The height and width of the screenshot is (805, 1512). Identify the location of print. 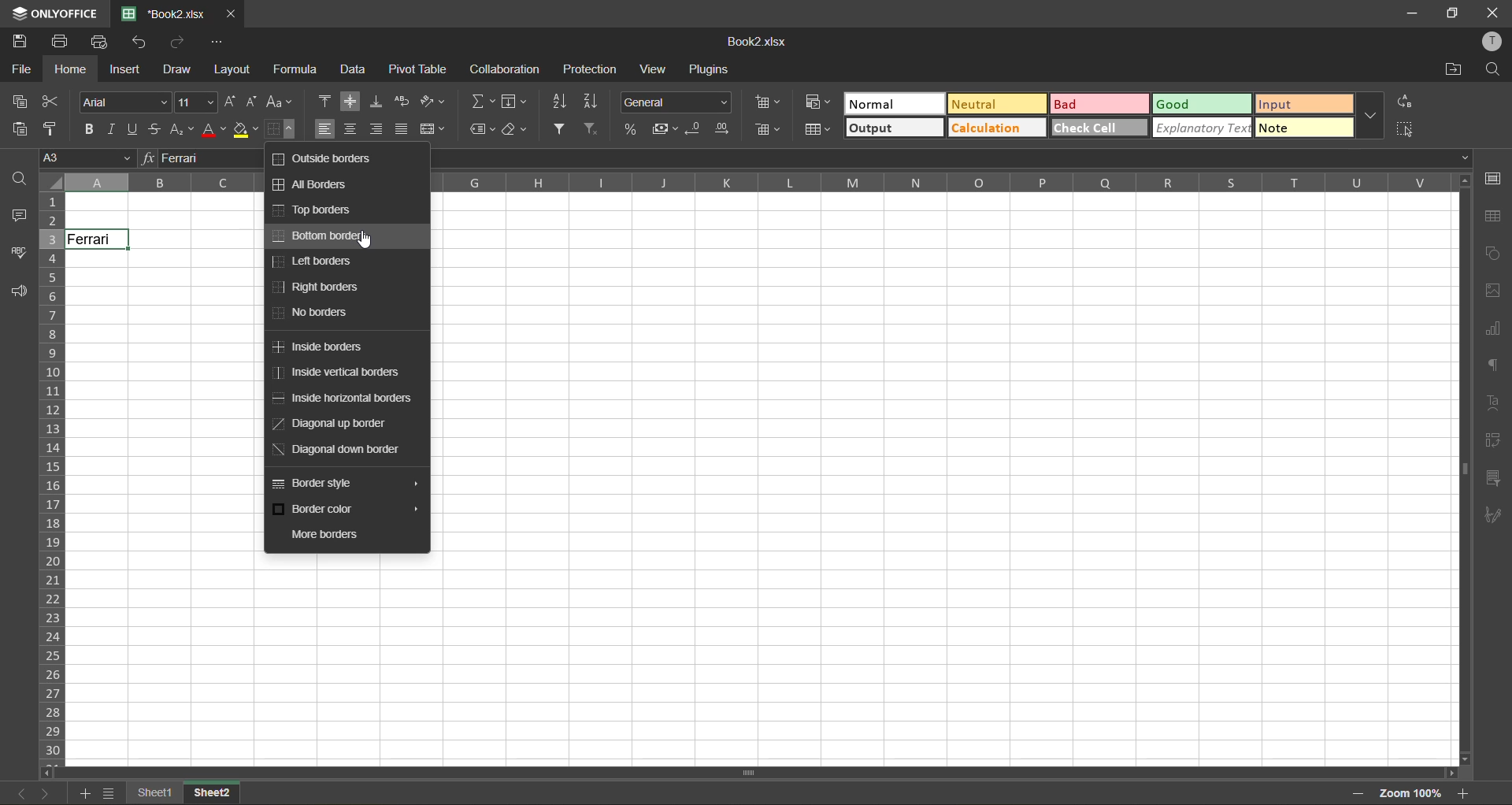
(64, 42).